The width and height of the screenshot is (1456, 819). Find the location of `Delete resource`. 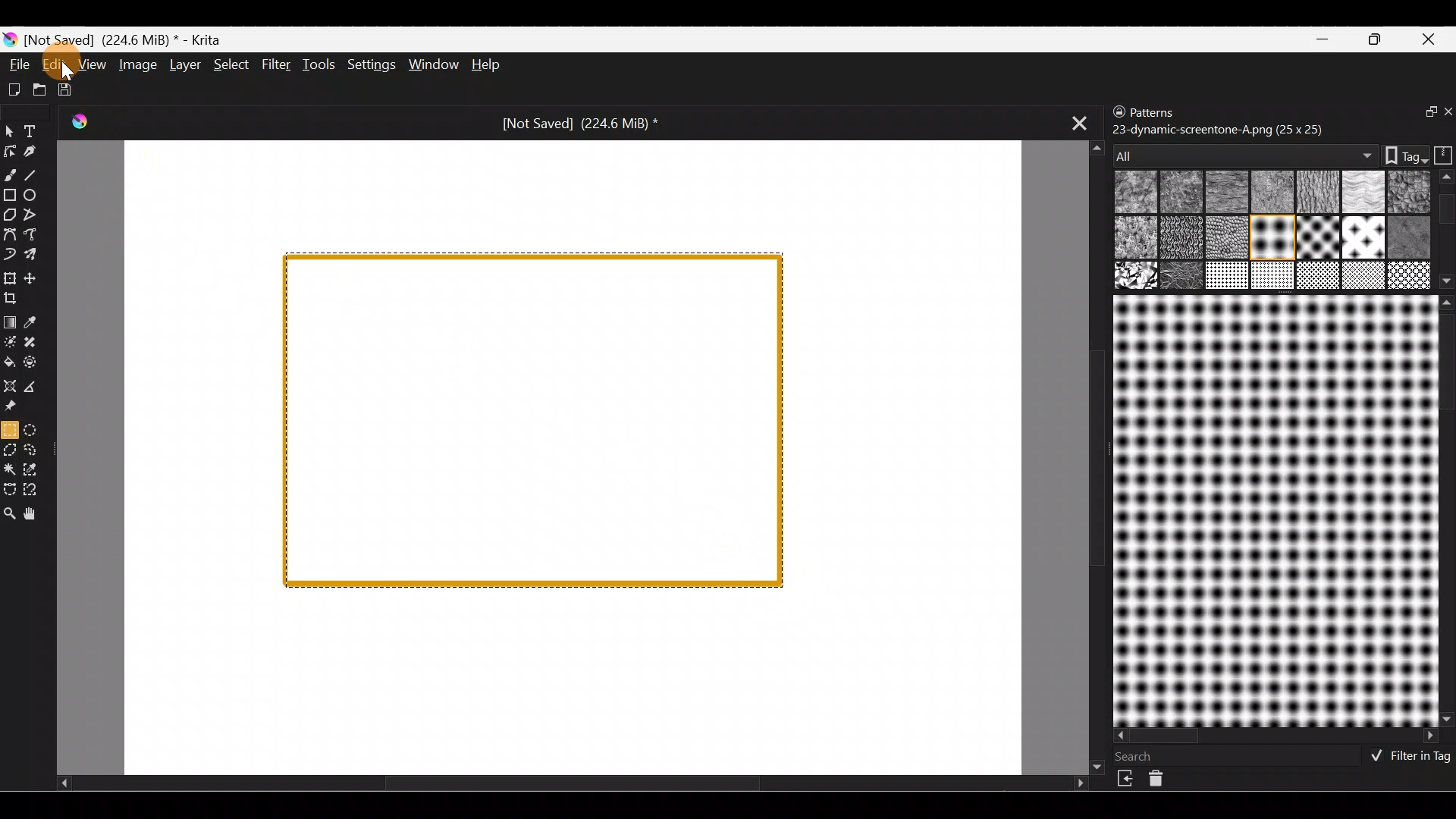

Delete resource is located at coordinates (1164, 782).